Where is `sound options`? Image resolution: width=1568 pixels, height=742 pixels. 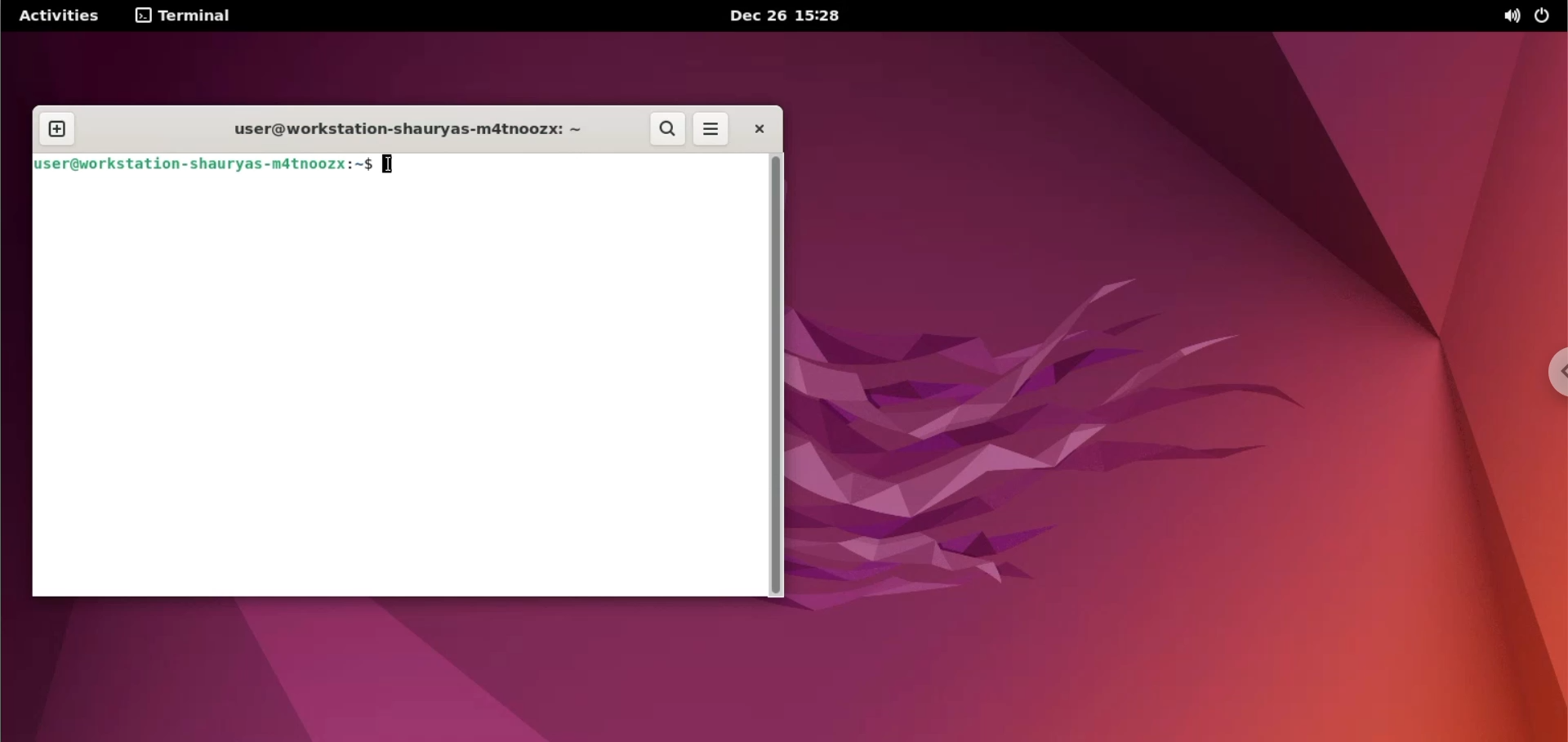 sound options is located at coordinates (1510, 16).